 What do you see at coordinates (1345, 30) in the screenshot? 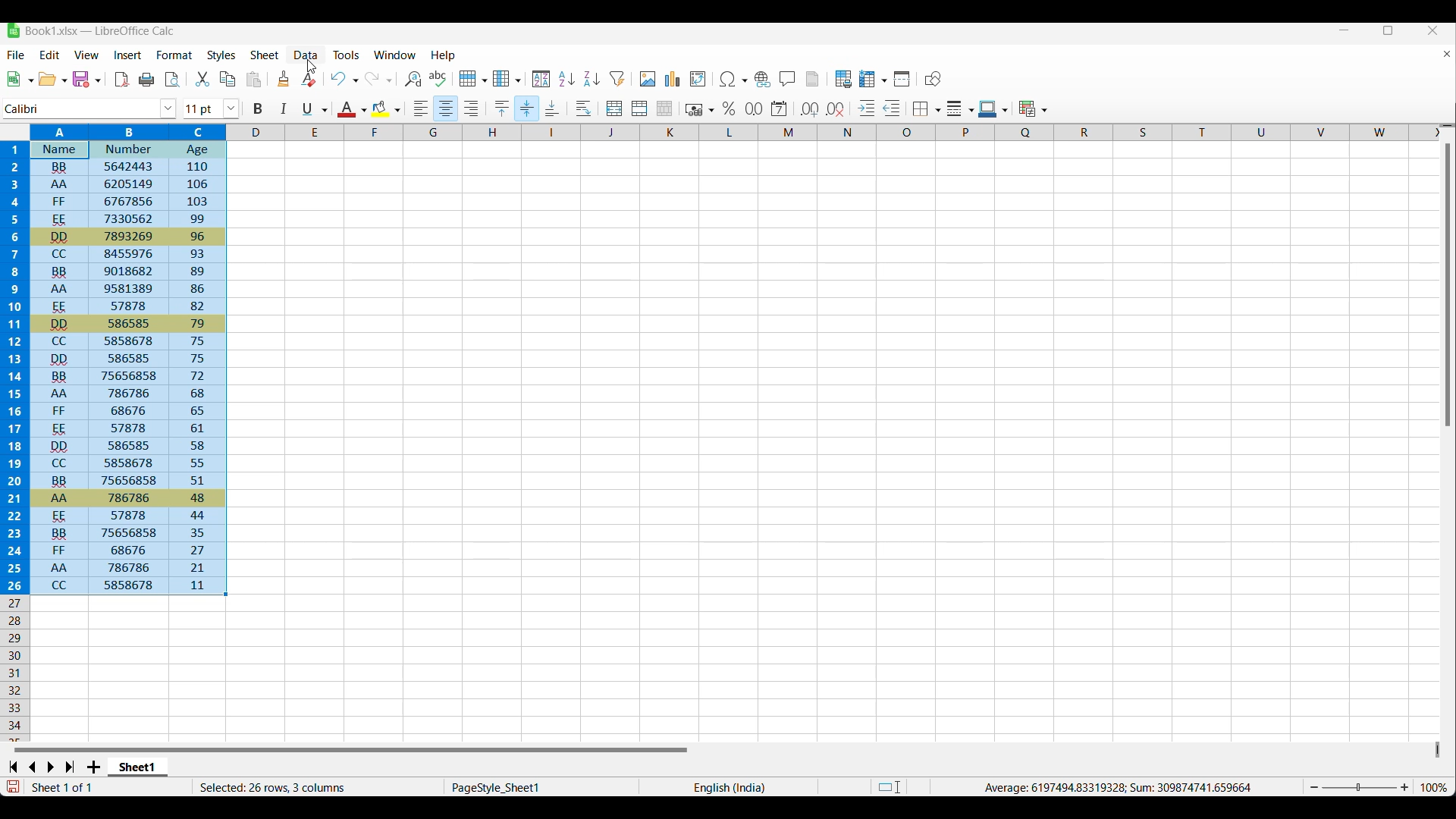
I see `Minimize` at bounding box center [1345, 30].